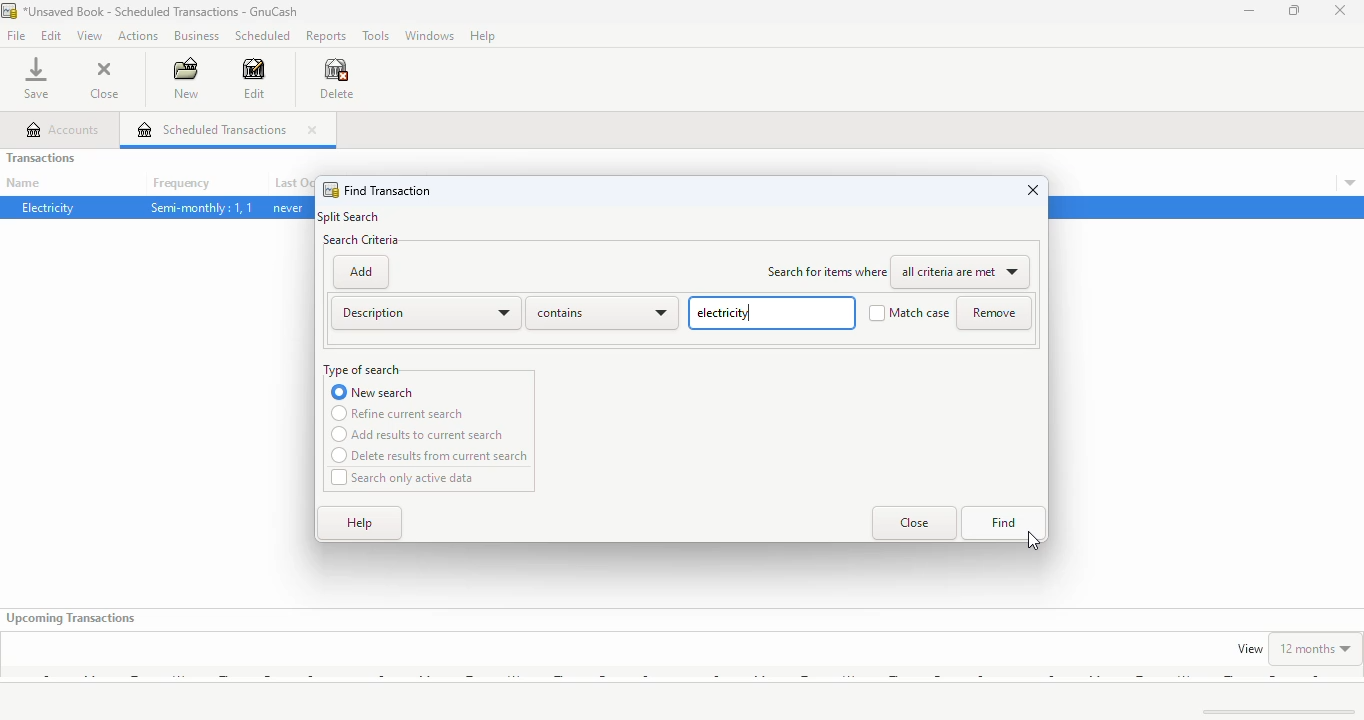 This screenshot has height=720, width=1364. Describe the element at coordinates (377, 36) in the screenshot. I see `tools` at that location.